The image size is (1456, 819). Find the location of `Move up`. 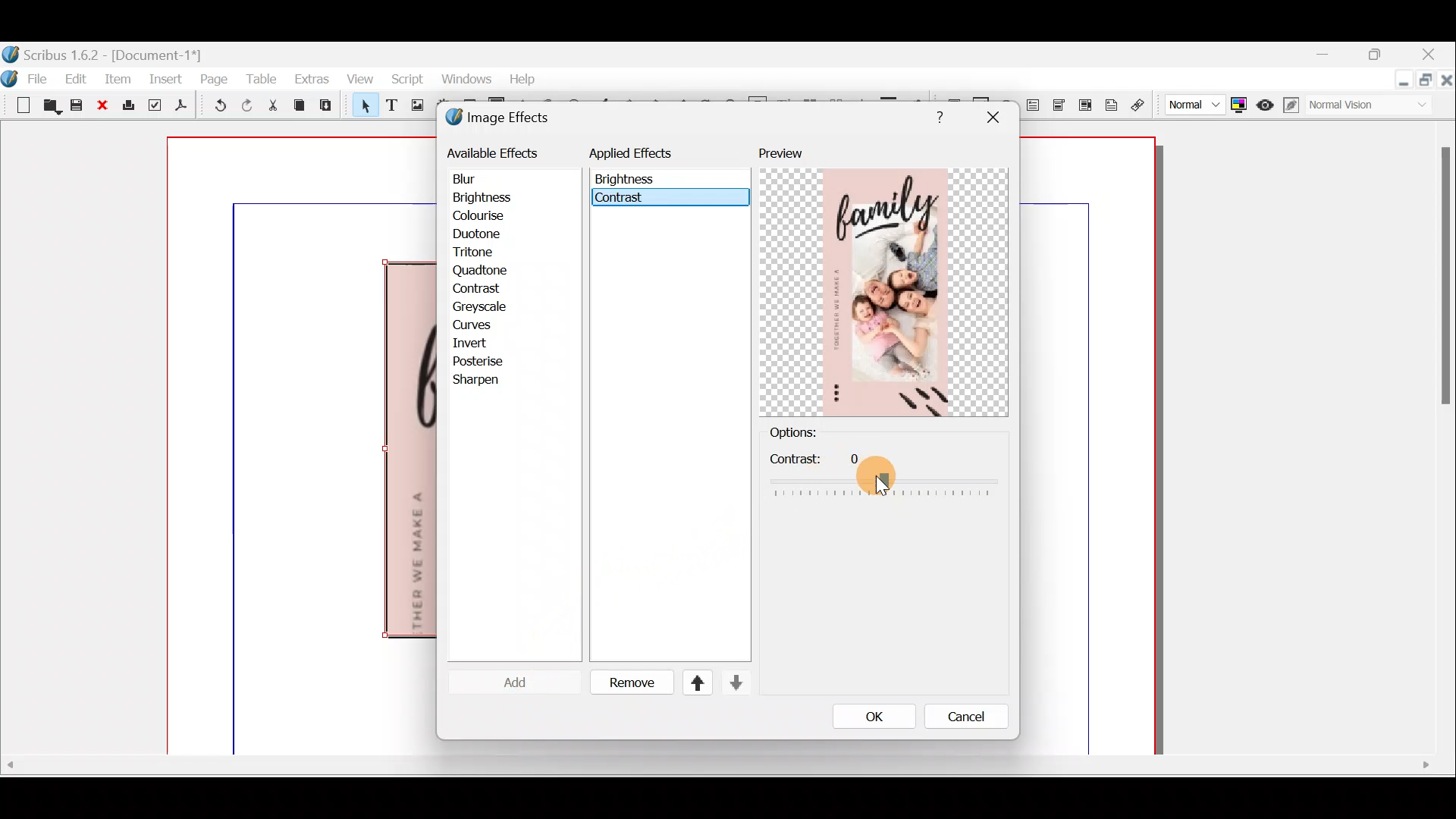

Move up is located at coordinates (691, 682).